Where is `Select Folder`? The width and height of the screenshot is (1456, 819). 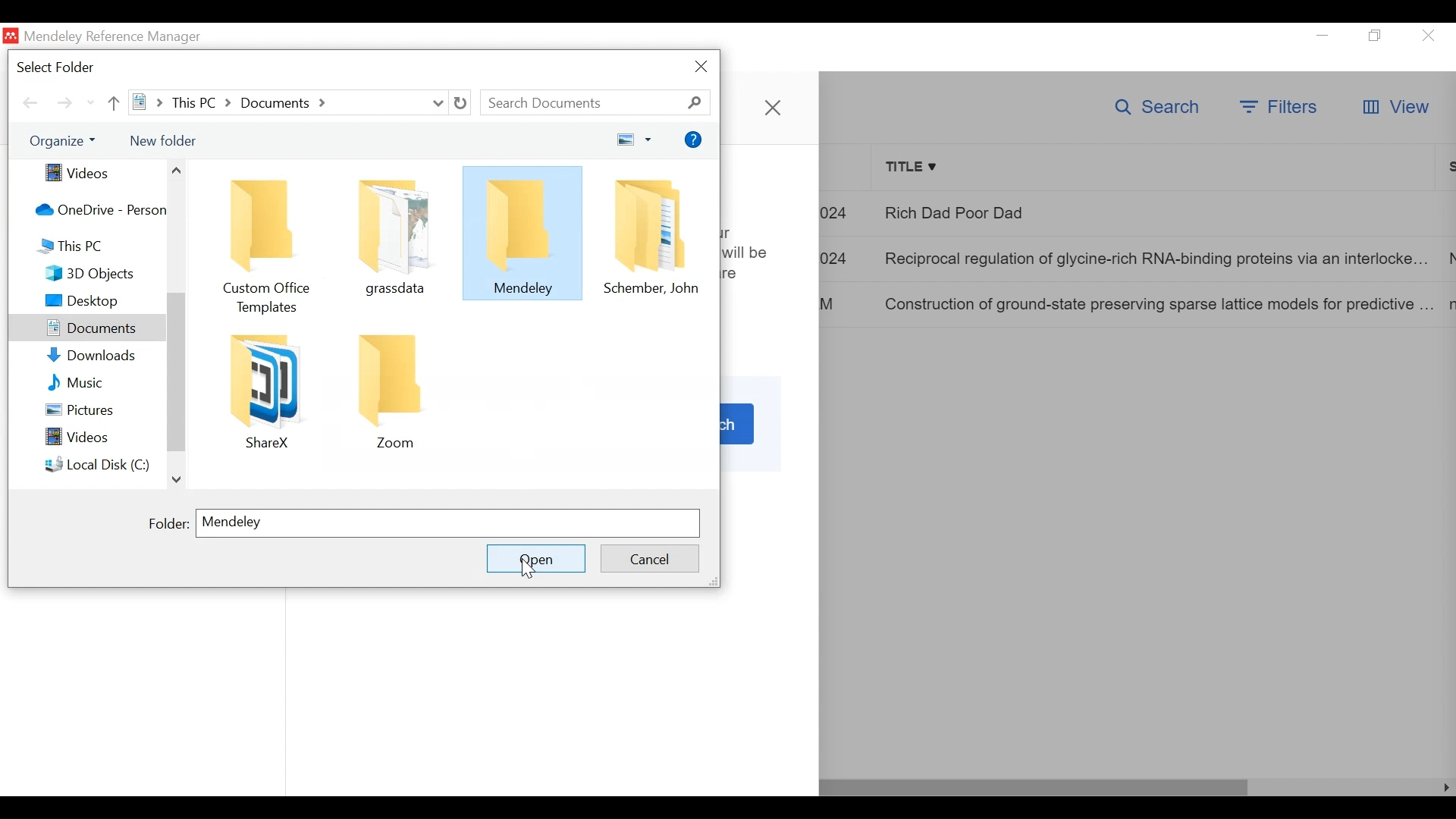 Select Folder is located at coordinates (61, 67).